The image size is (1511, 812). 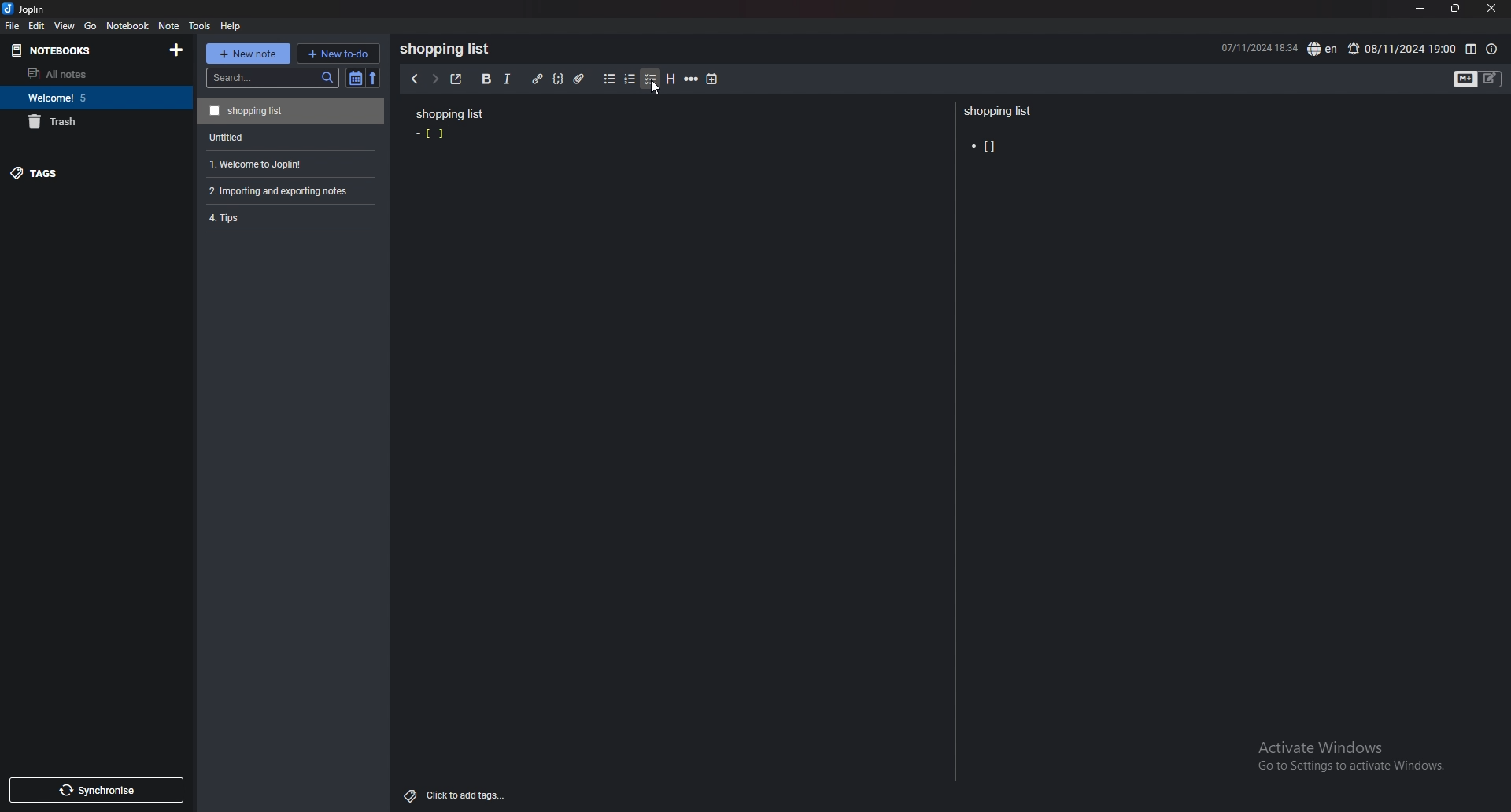 What do you see at coordinates (538, 79) in the screenshot?
I see `hyperlink` at bounding box center [538, 79].